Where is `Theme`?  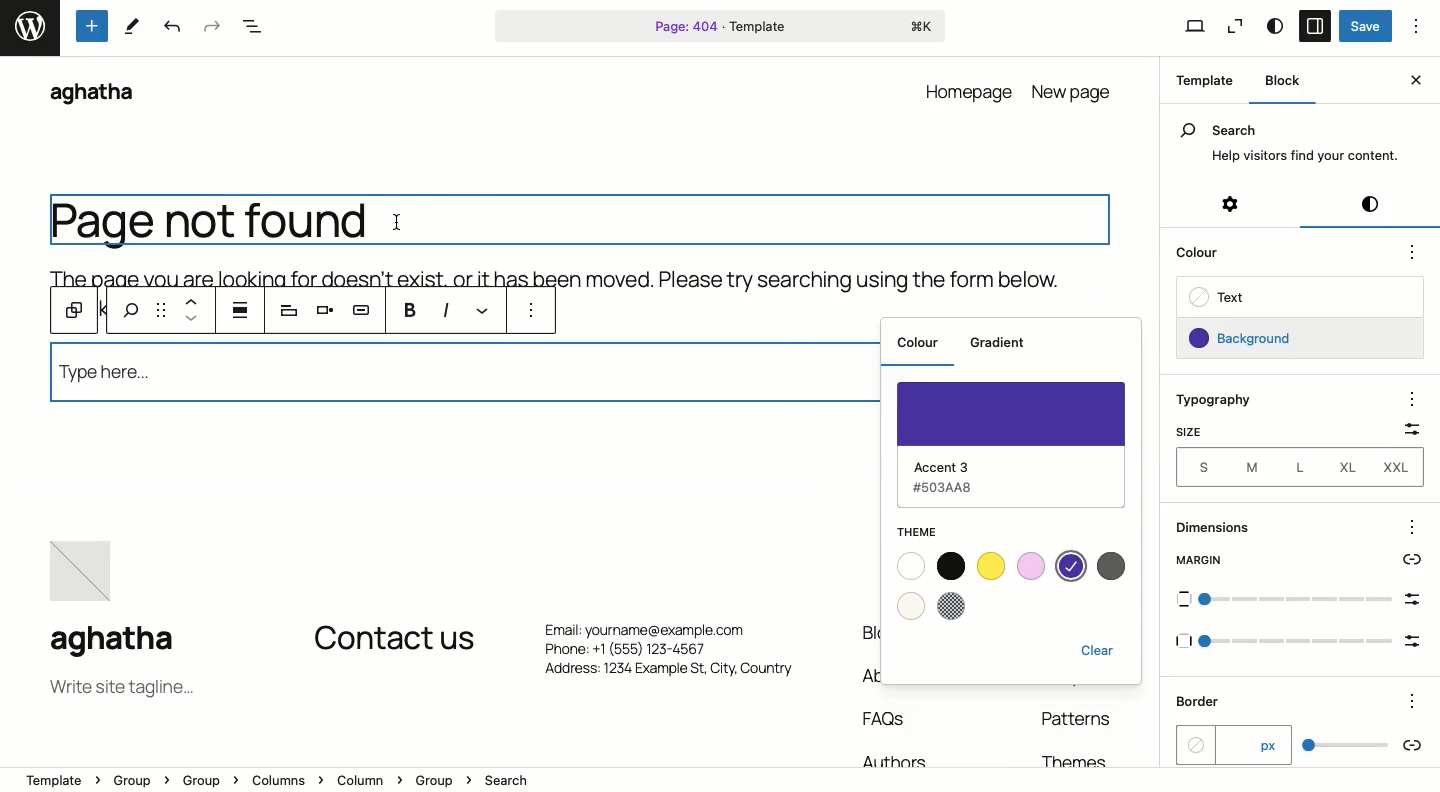 Theme is located at coordinates (925, 531).